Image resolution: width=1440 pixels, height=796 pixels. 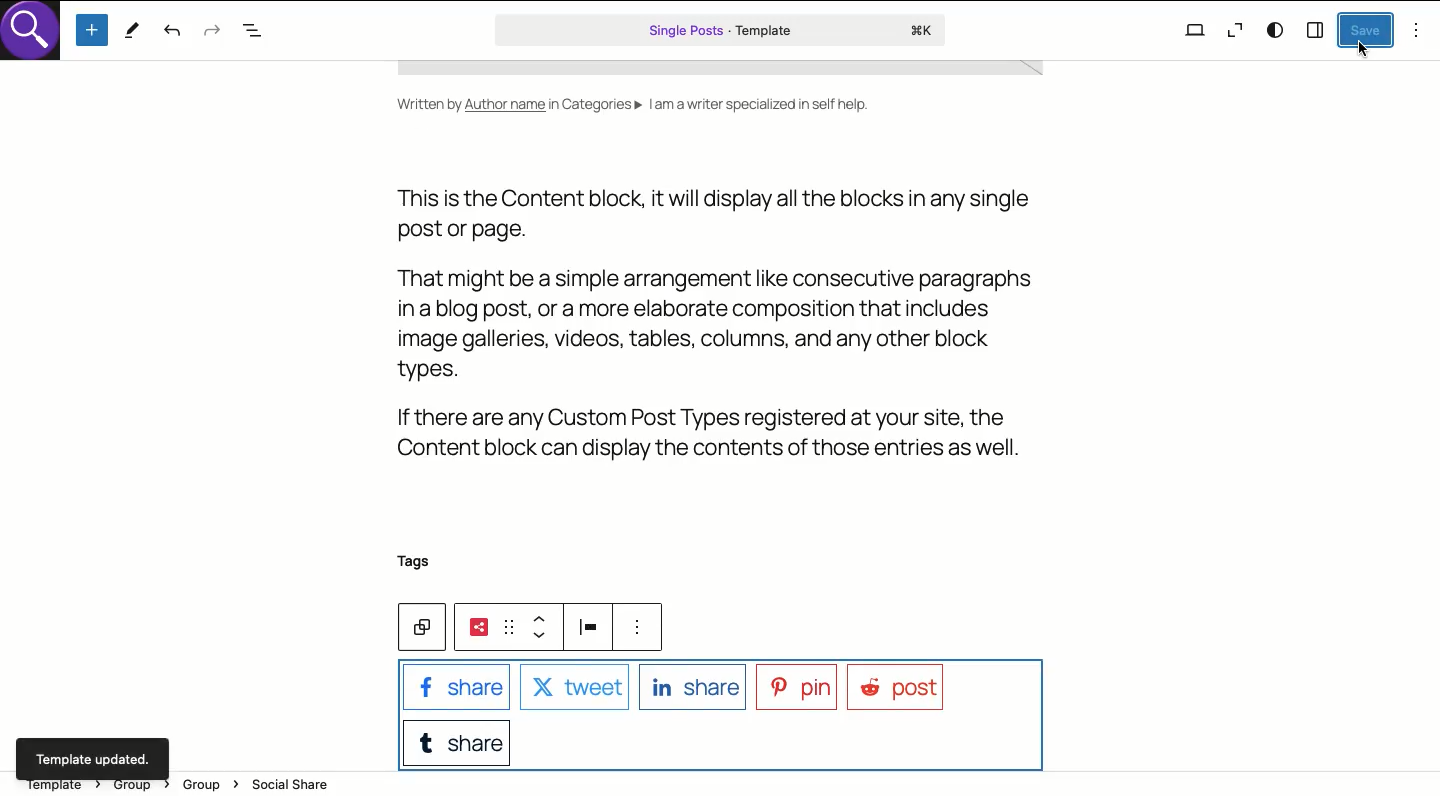 I want to click on Pinterest, so click(x=800, y=690).